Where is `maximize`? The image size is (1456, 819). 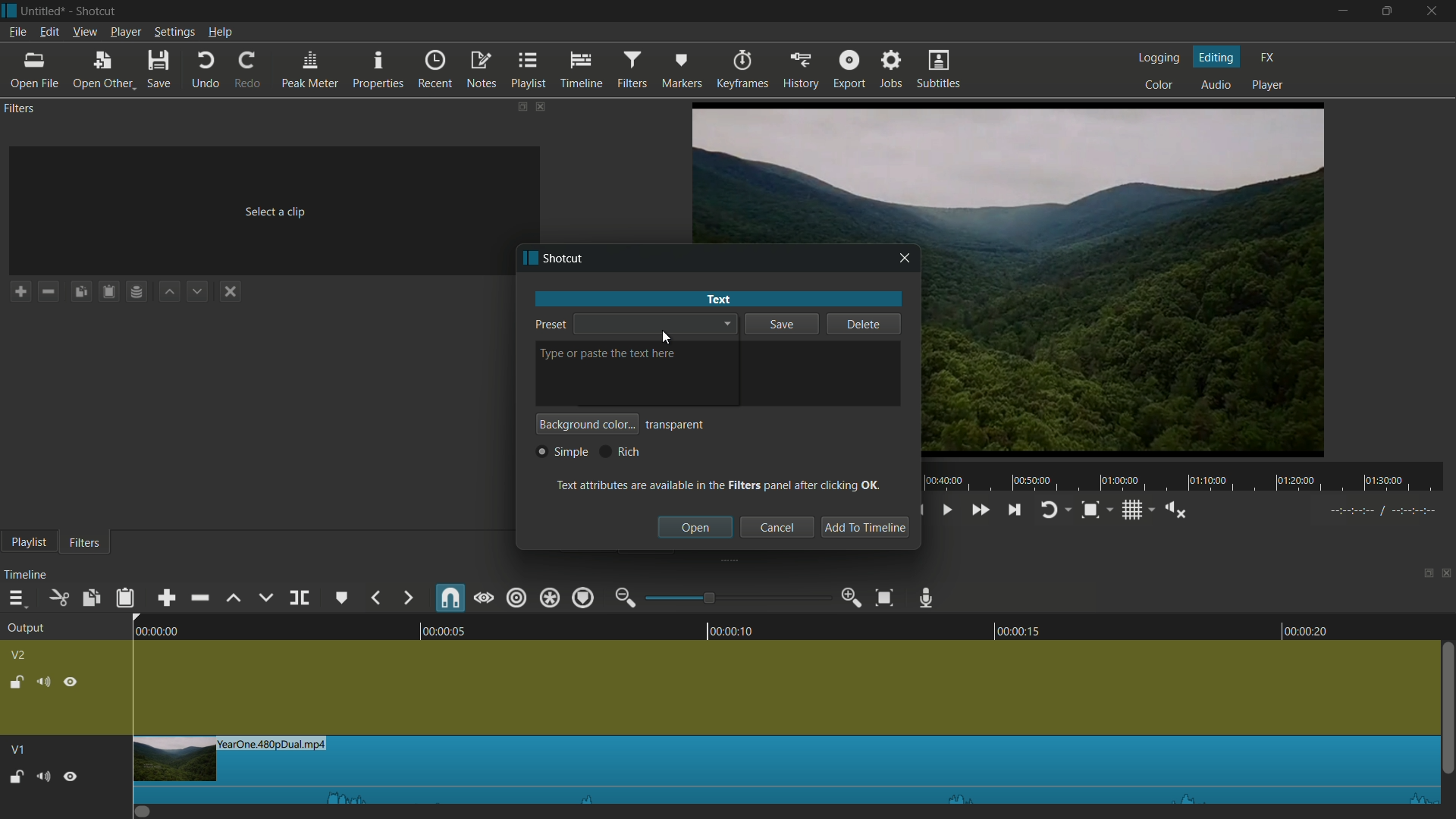 maximize is located at coordinates (1387, 11).